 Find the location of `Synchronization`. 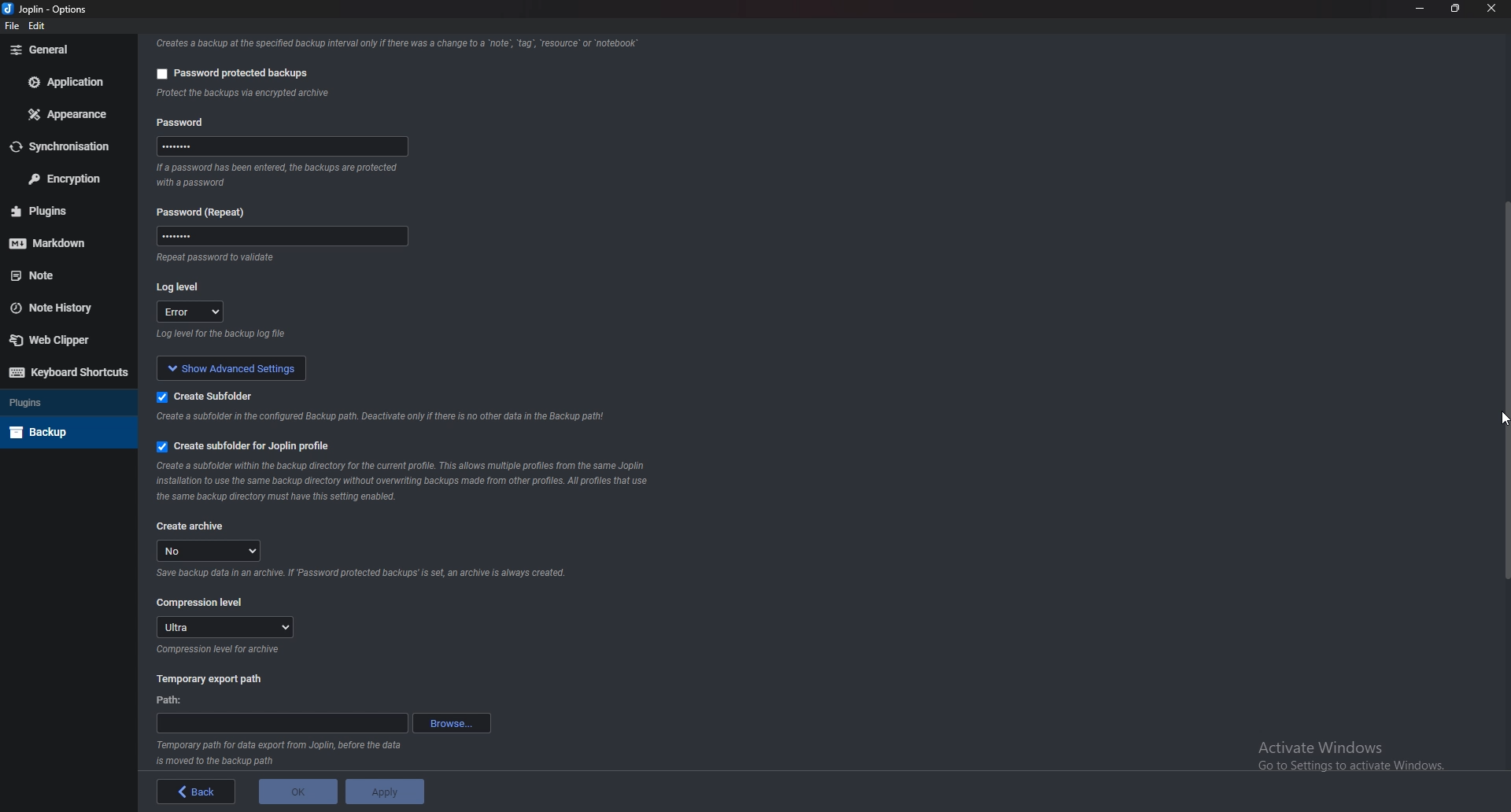

Synchronization is located at coordinates (68, 146).